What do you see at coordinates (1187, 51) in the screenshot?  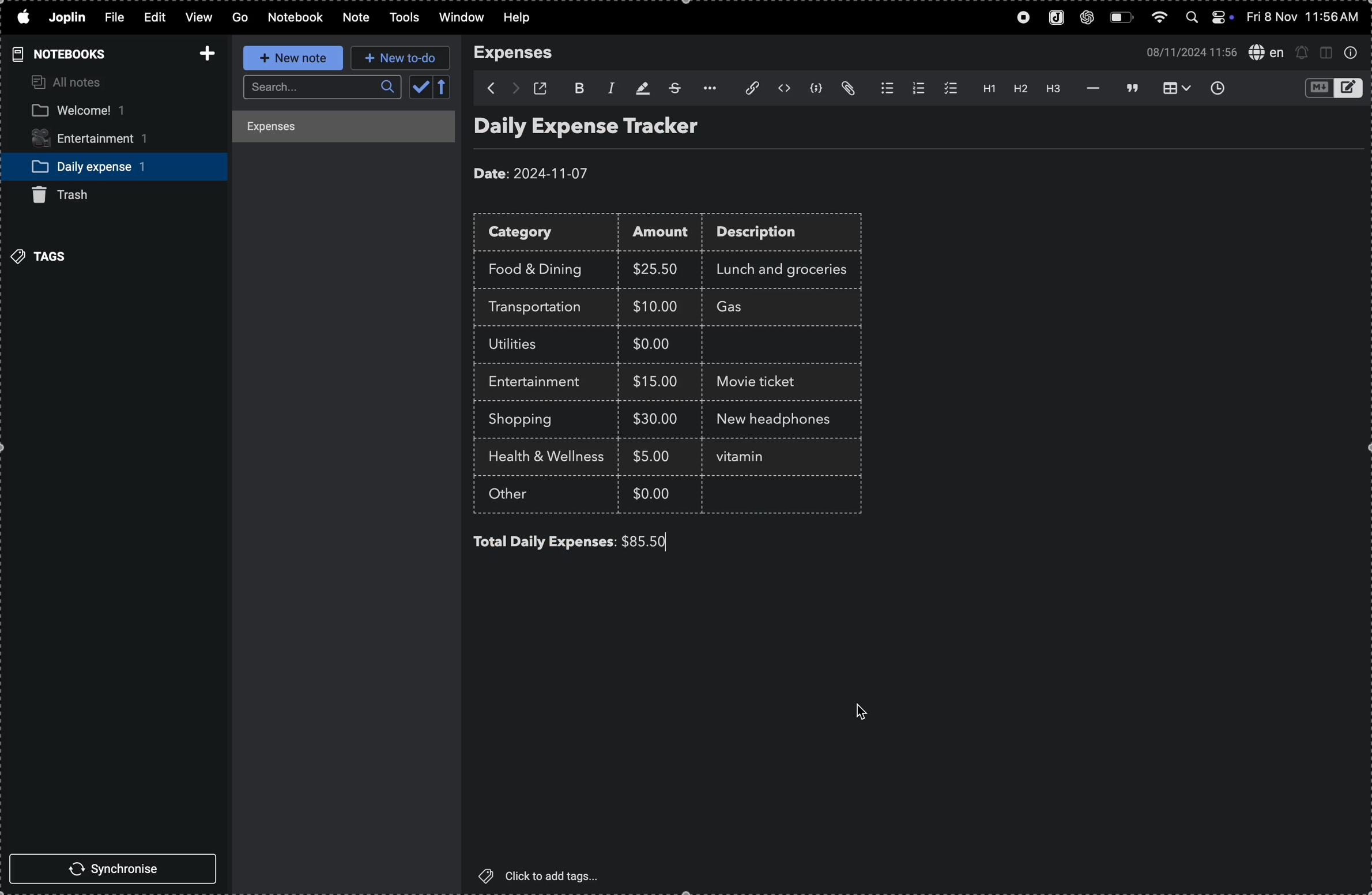 I see `date and time` at bounding box center [1187, 51].